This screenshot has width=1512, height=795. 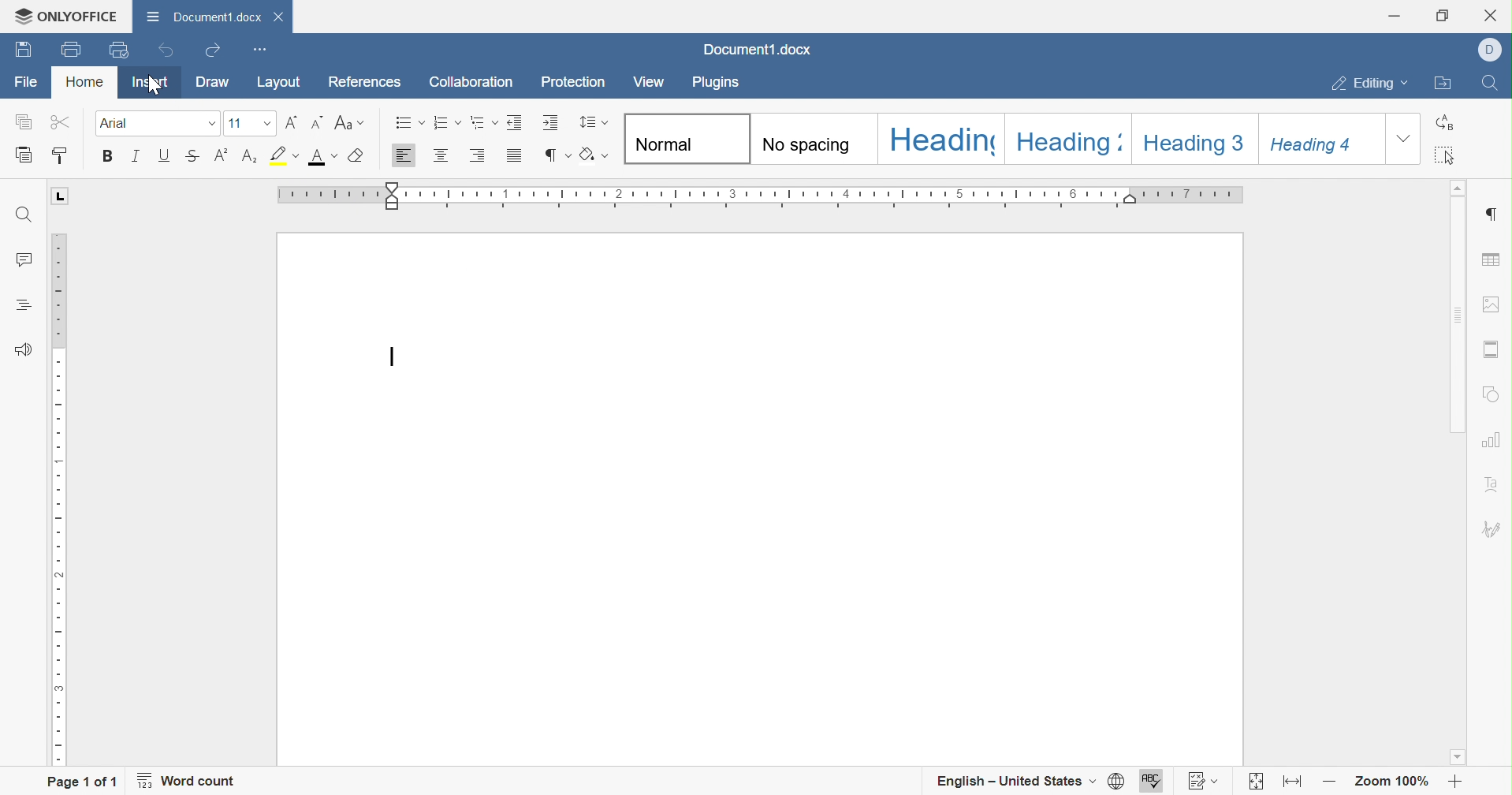 What do you see at coordinates (1496, 400) in the screenshot?
I see `Shape settings` at bounding box center [1496, 400].